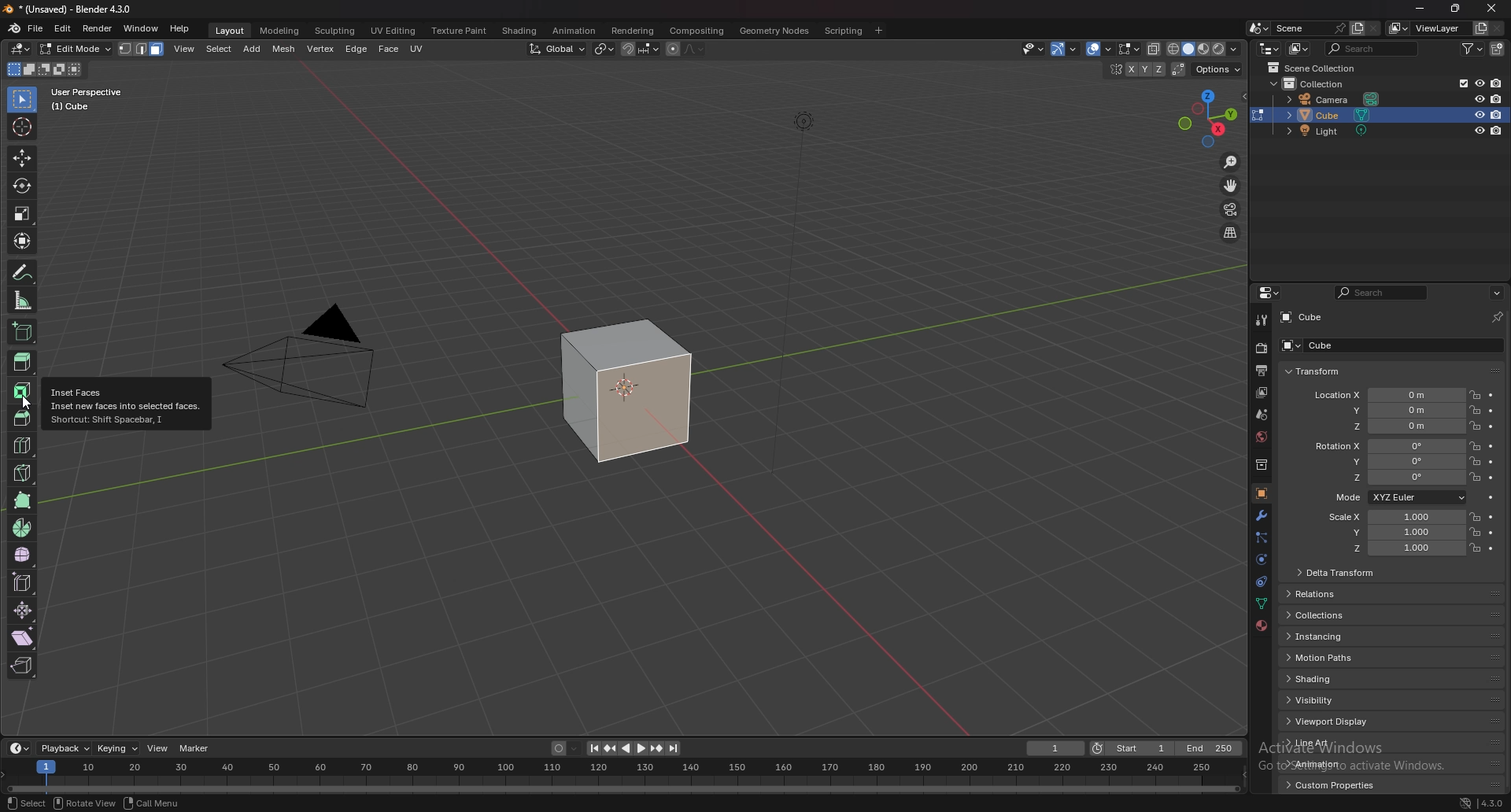 The height and width of the screenshot is (812, 1511). I want to click on transform, so click(1313, 372).